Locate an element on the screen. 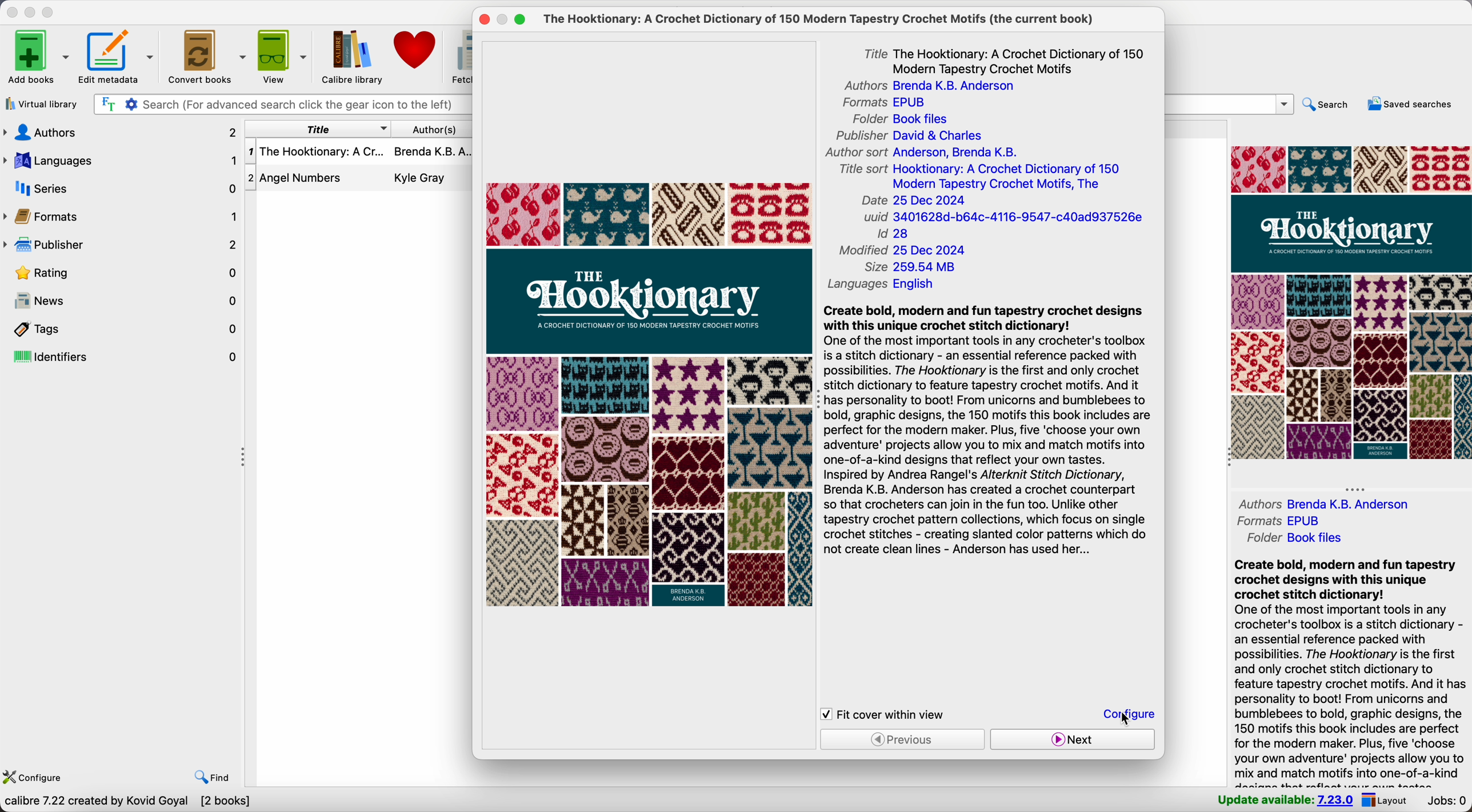 The height and width of the screenshot is (812, 1472). languages is located at coordinates (882, 284).